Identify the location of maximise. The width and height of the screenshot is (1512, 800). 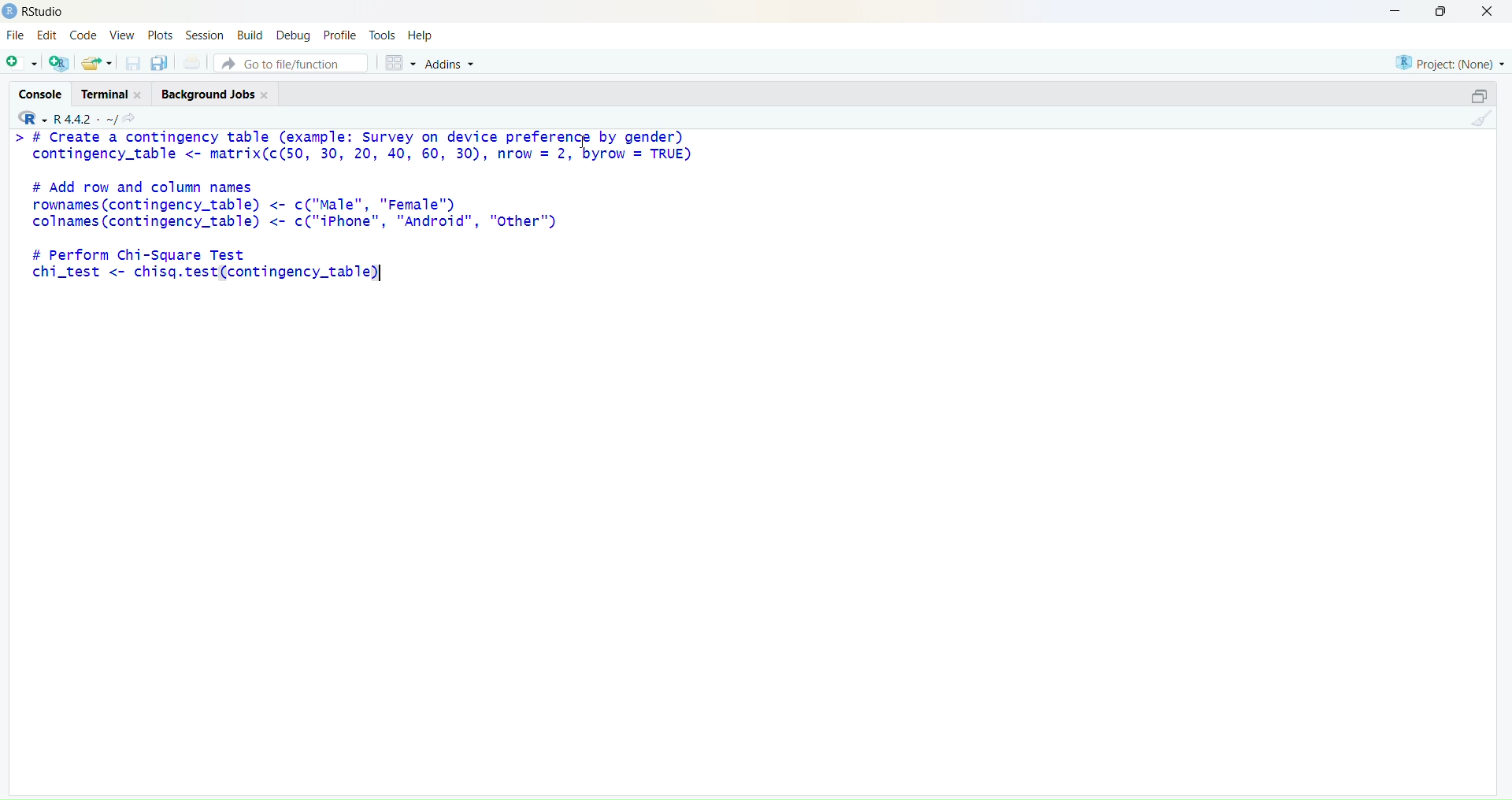
(1441, 11).